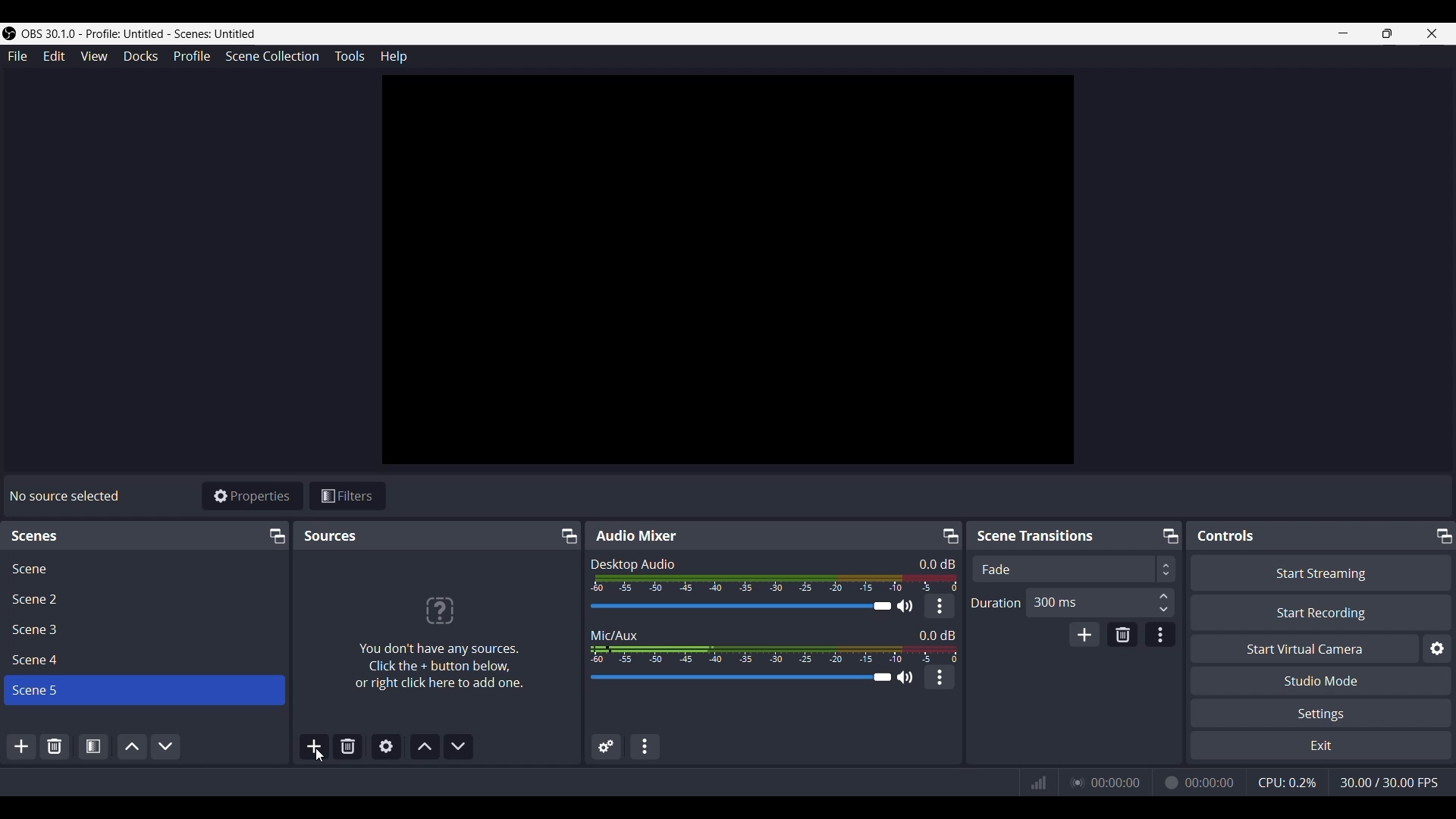 Image resolution: width=1456 pixels, height=819 pixels. Describe the element at coordinates (604, 746) in the screenshot. I see `Advance audio properties` at that location.